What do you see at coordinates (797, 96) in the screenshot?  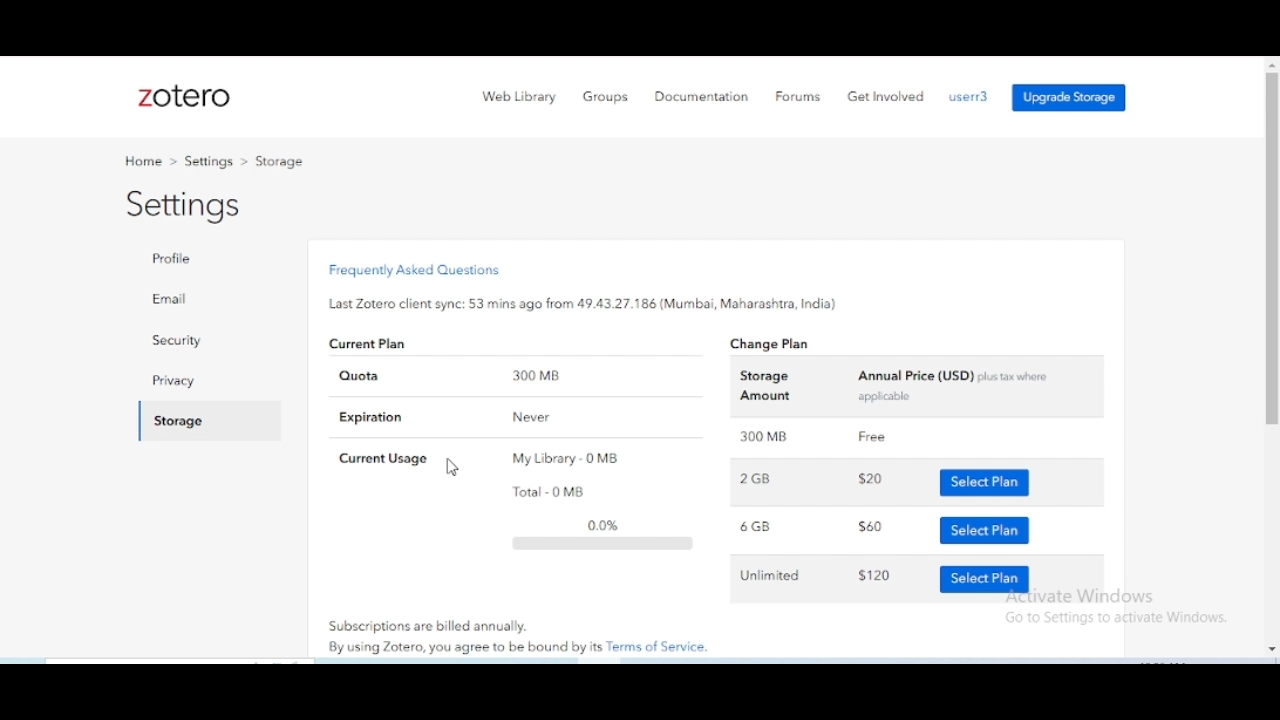 I see `forums` at bounding box center [797, 96].